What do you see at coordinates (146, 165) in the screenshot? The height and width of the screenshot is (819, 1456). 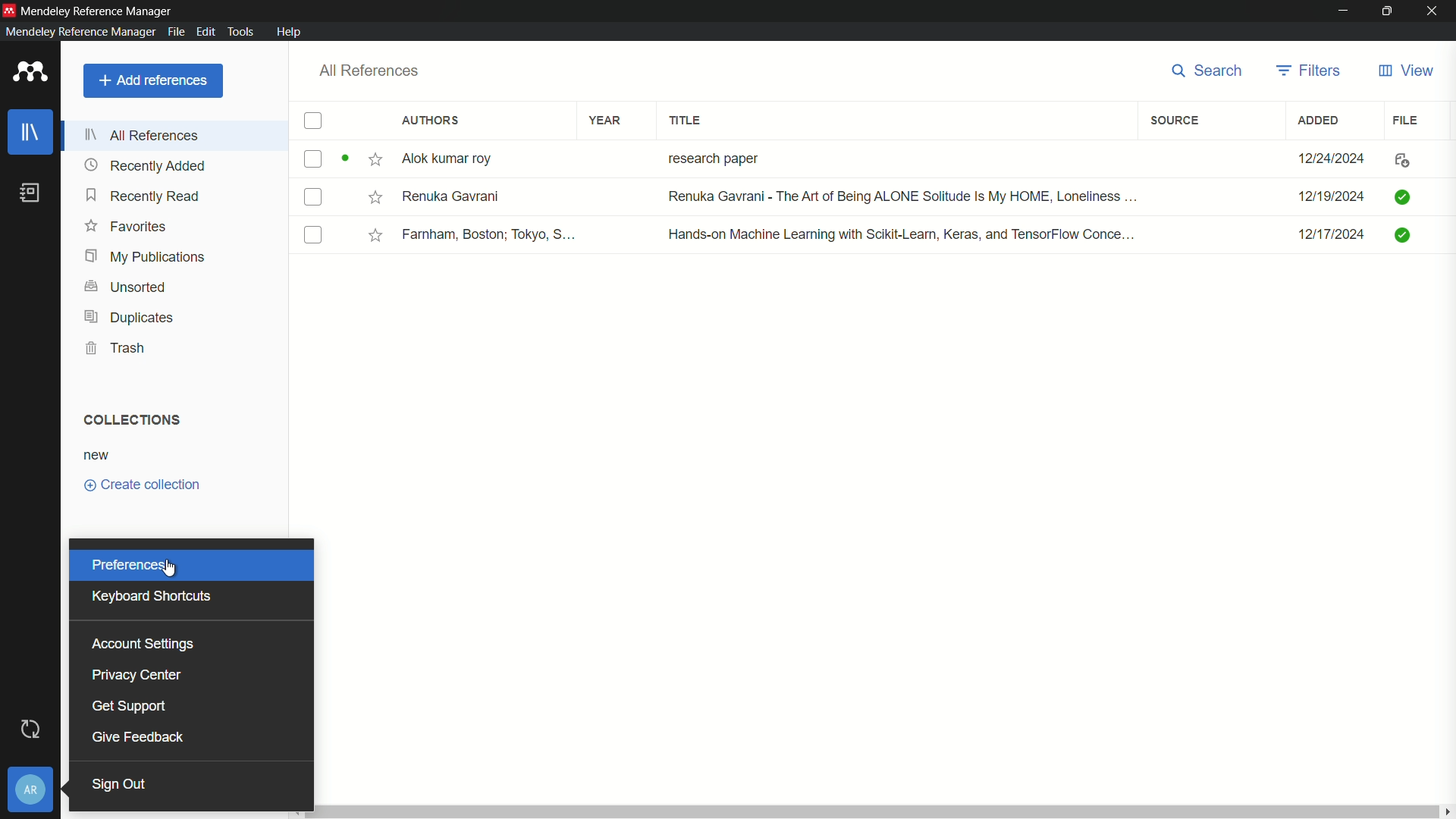 I see `recently added` at bounding box center [146, 165].